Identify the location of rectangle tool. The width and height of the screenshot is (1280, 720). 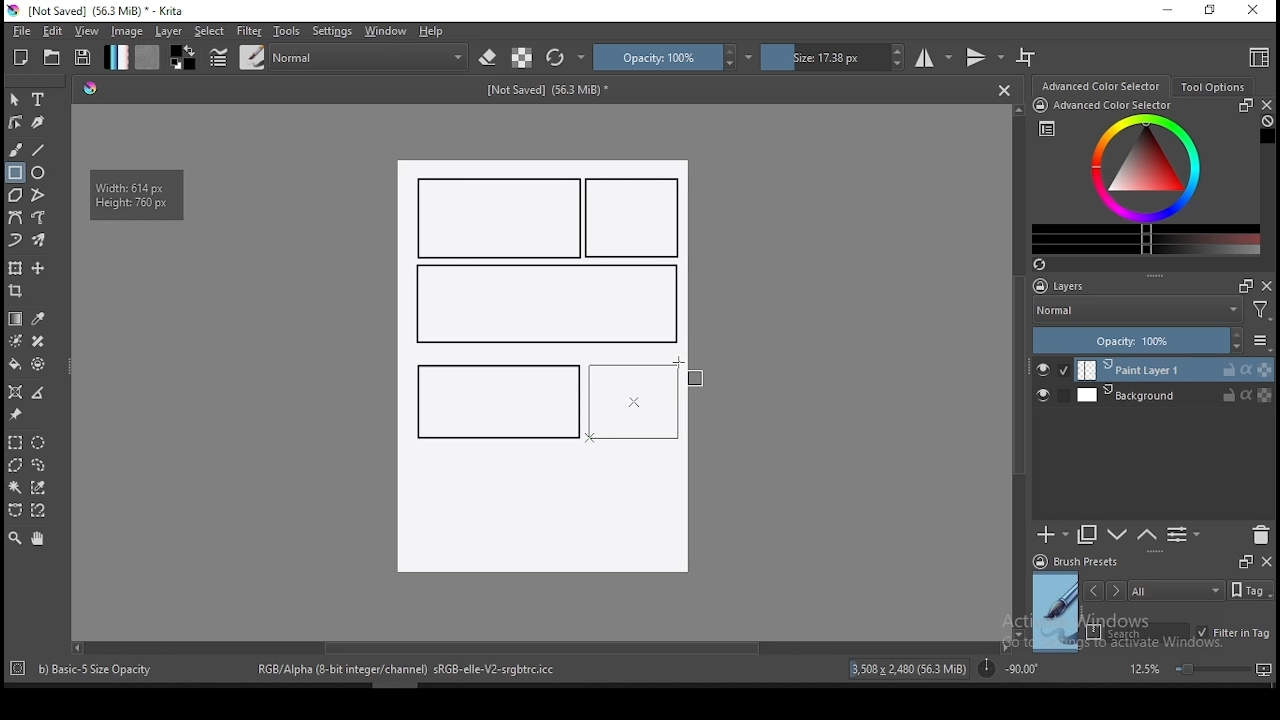
(15, 173).